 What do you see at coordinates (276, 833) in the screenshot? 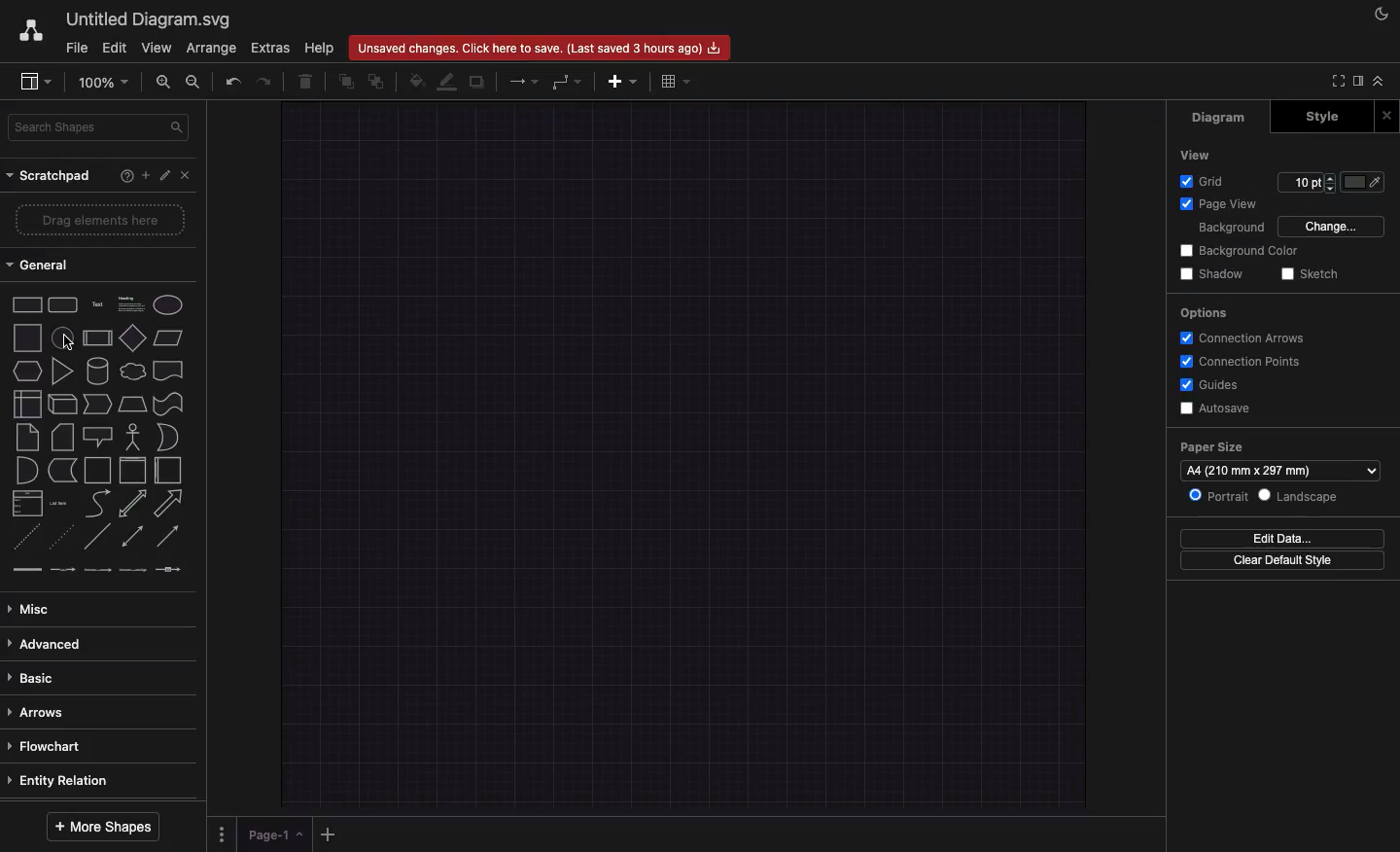
I see `Page` at bounding box center [276, 833].